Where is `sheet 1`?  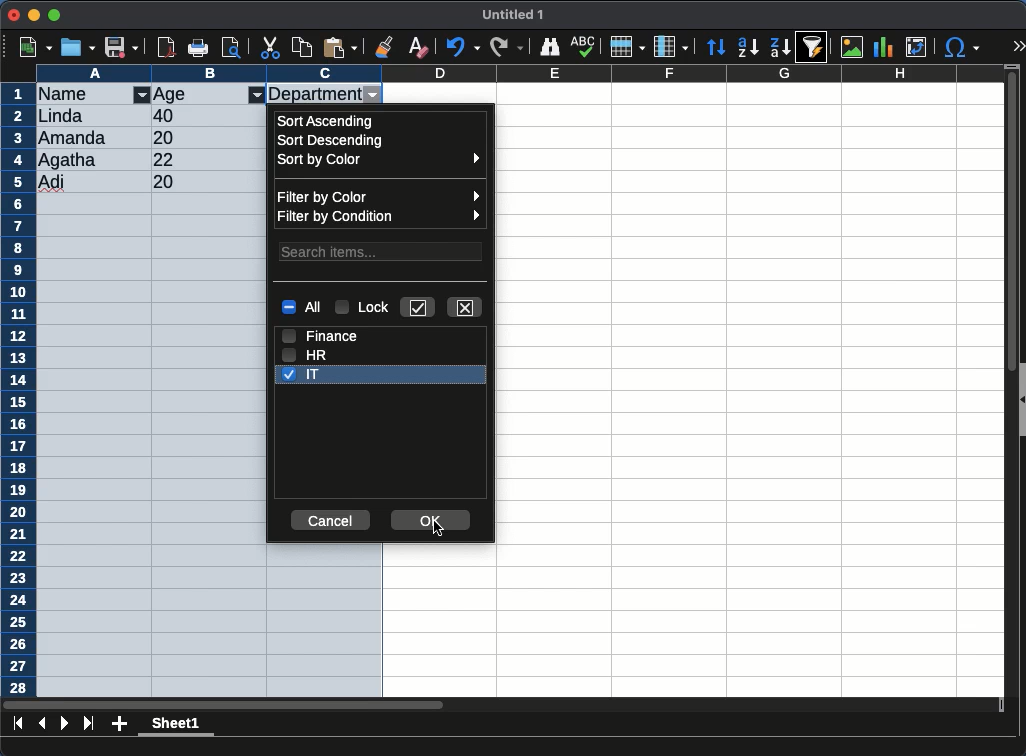
sheet 1 is located at coordinates (177, 726).